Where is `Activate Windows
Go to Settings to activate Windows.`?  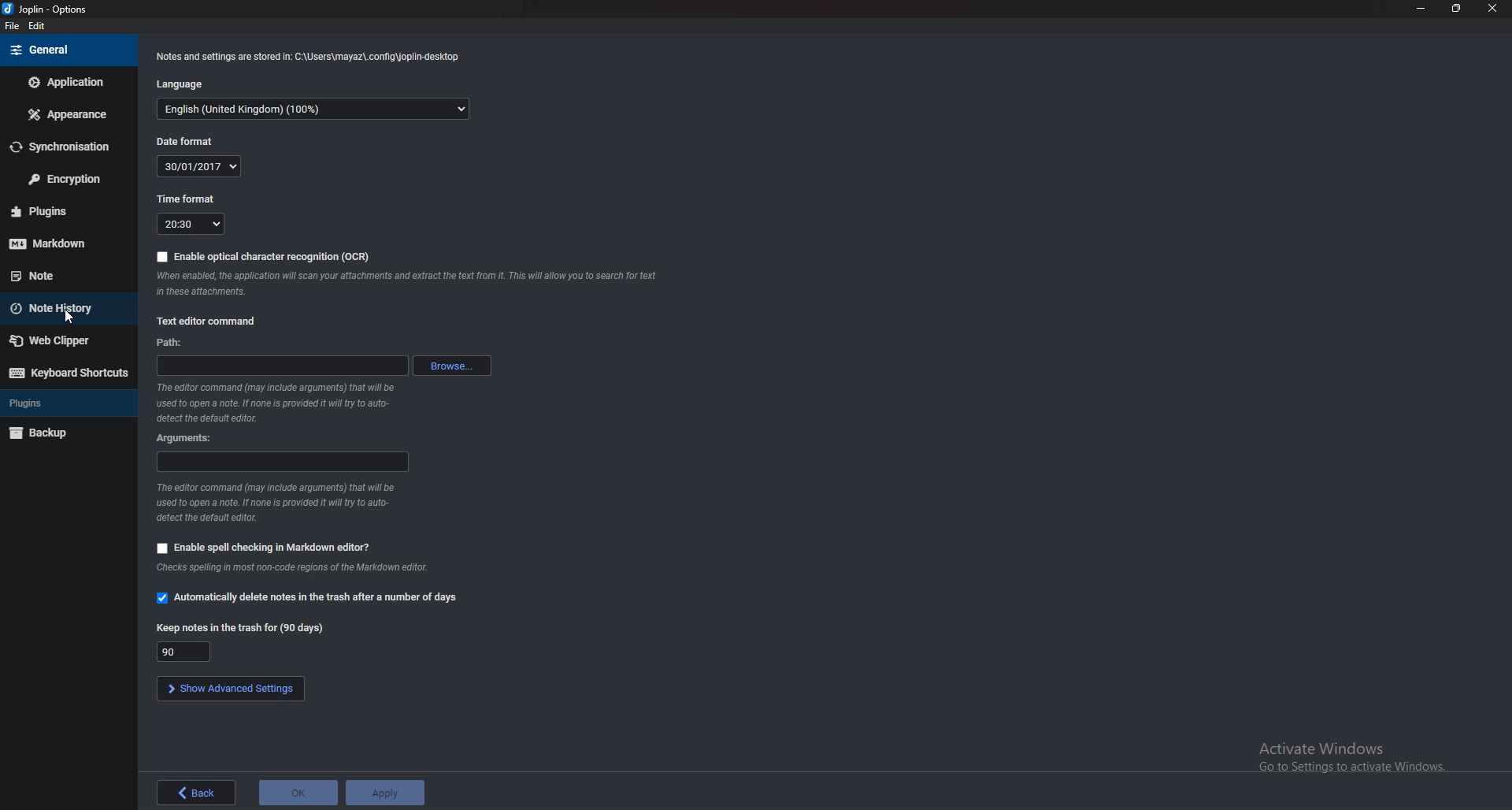
Activate Windows
Go to Settings to activate Windows. is located at coordinates (1348, 757).